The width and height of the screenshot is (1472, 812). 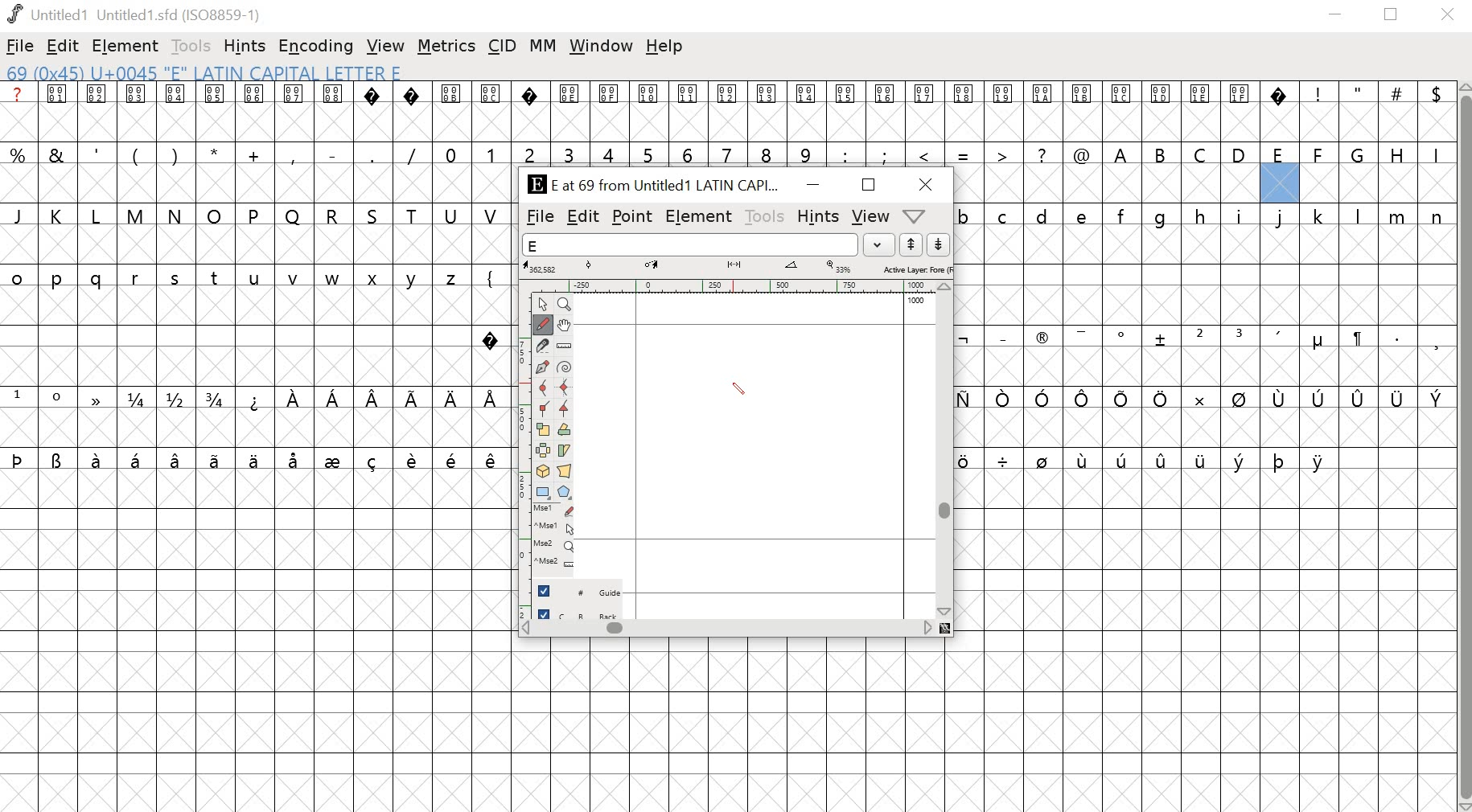 I want to click on empty cells, so click(x=1207, y=426).